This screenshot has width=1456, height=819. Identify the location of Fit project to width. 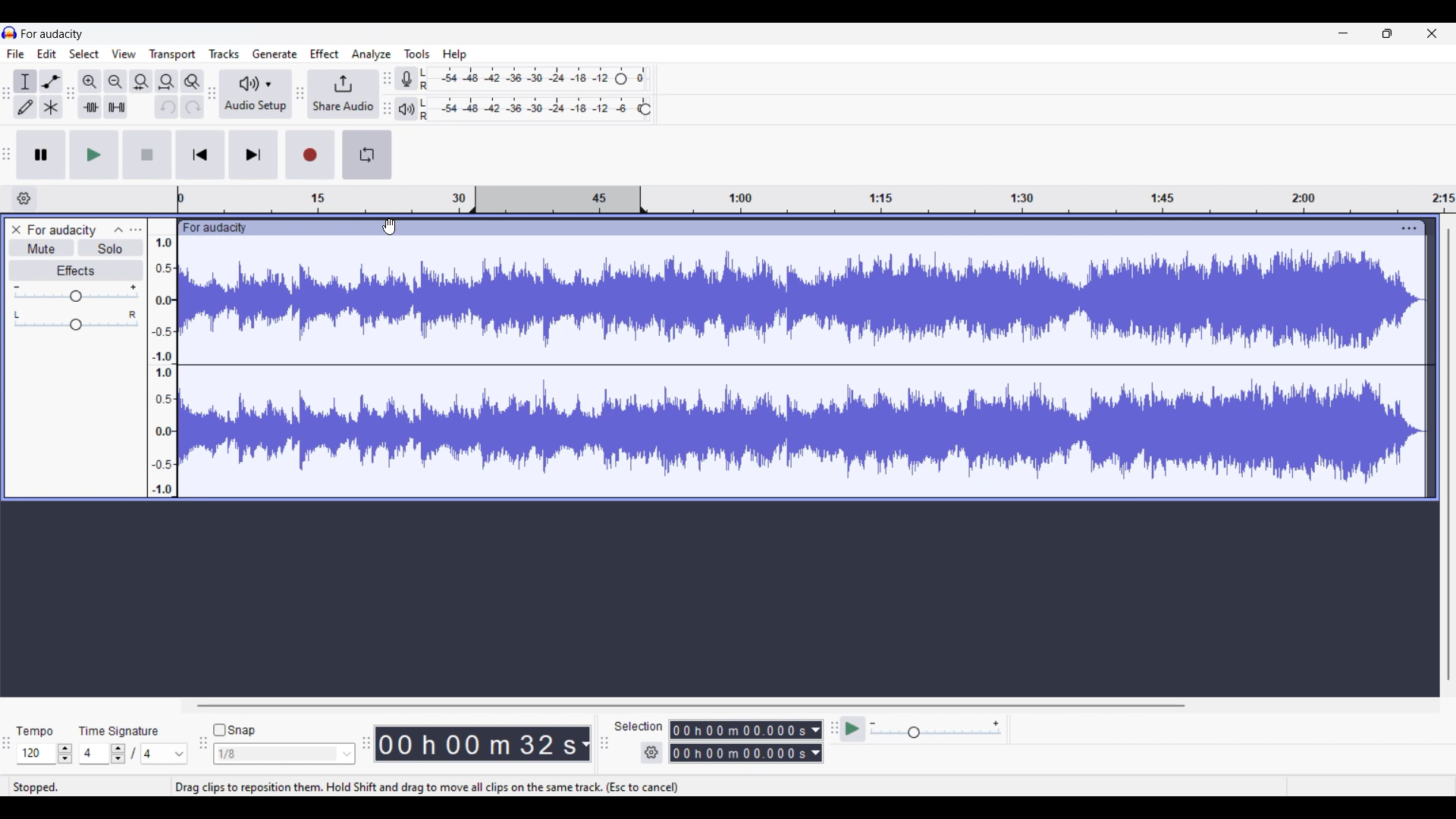
(167, 81).